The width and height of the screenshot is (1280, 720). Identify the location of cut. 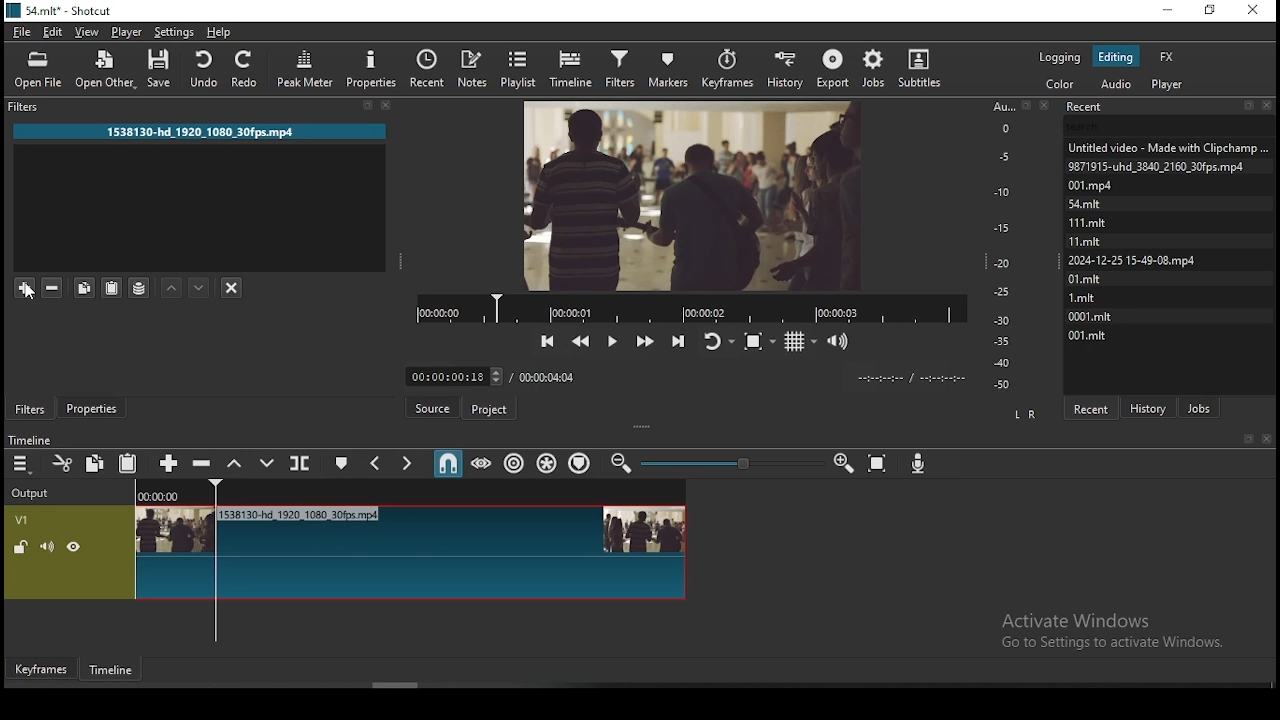
(60, 463).